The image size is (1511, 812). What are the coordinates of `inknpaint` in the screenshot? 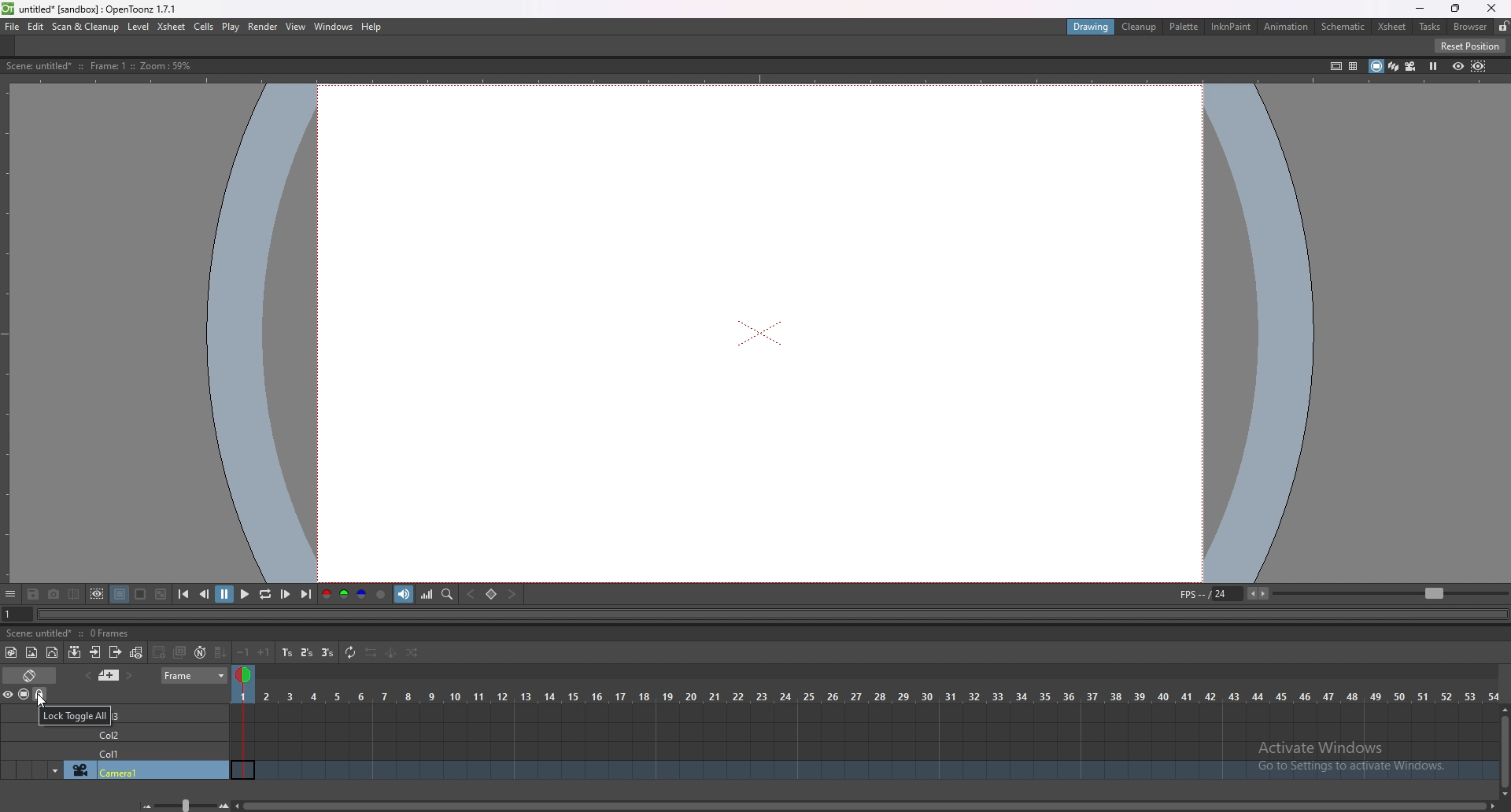 It's located at (1232, 27).